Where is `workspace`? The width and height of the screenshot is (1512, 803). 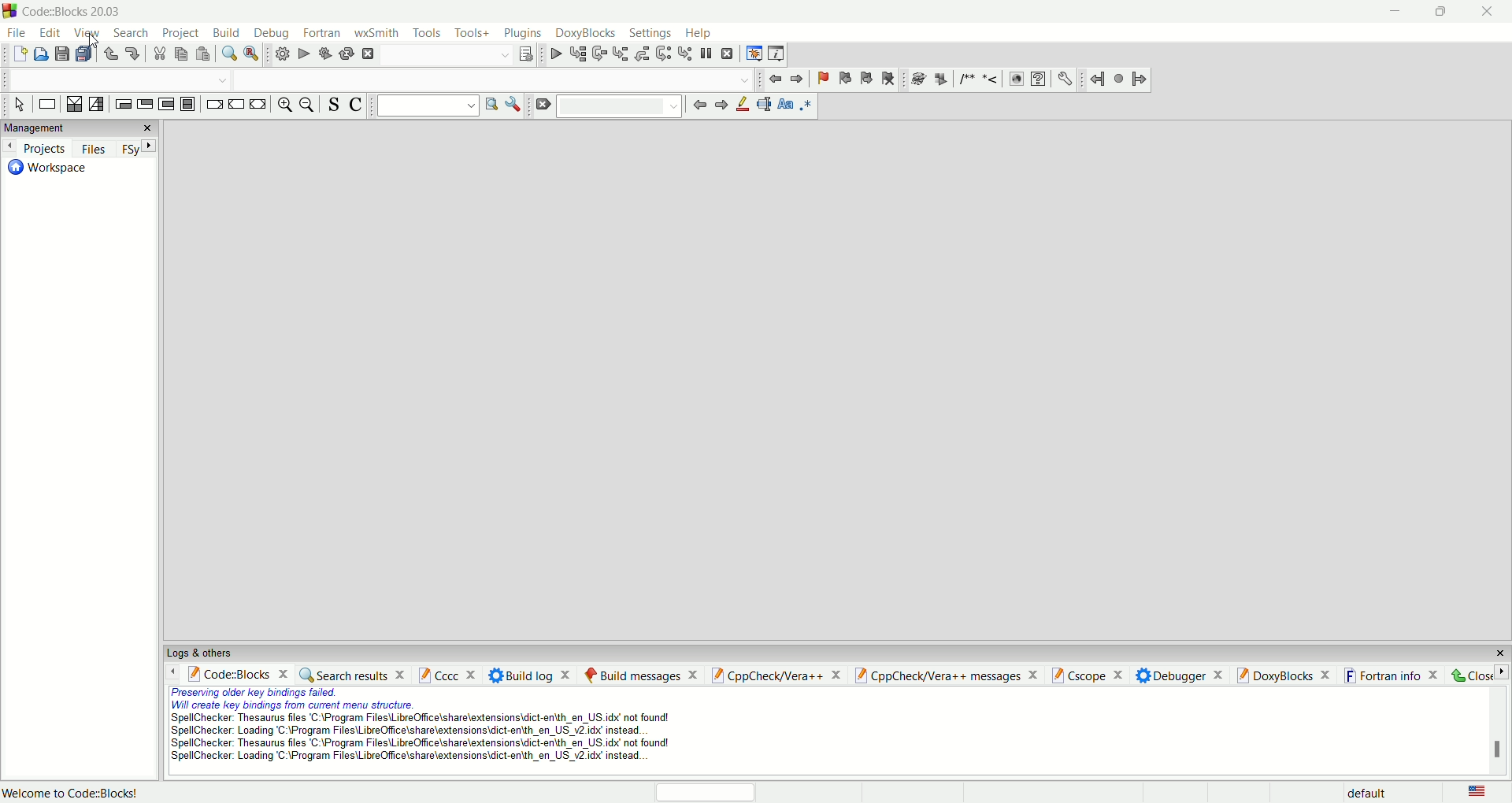
workspace is located at coordinates (52, 172).